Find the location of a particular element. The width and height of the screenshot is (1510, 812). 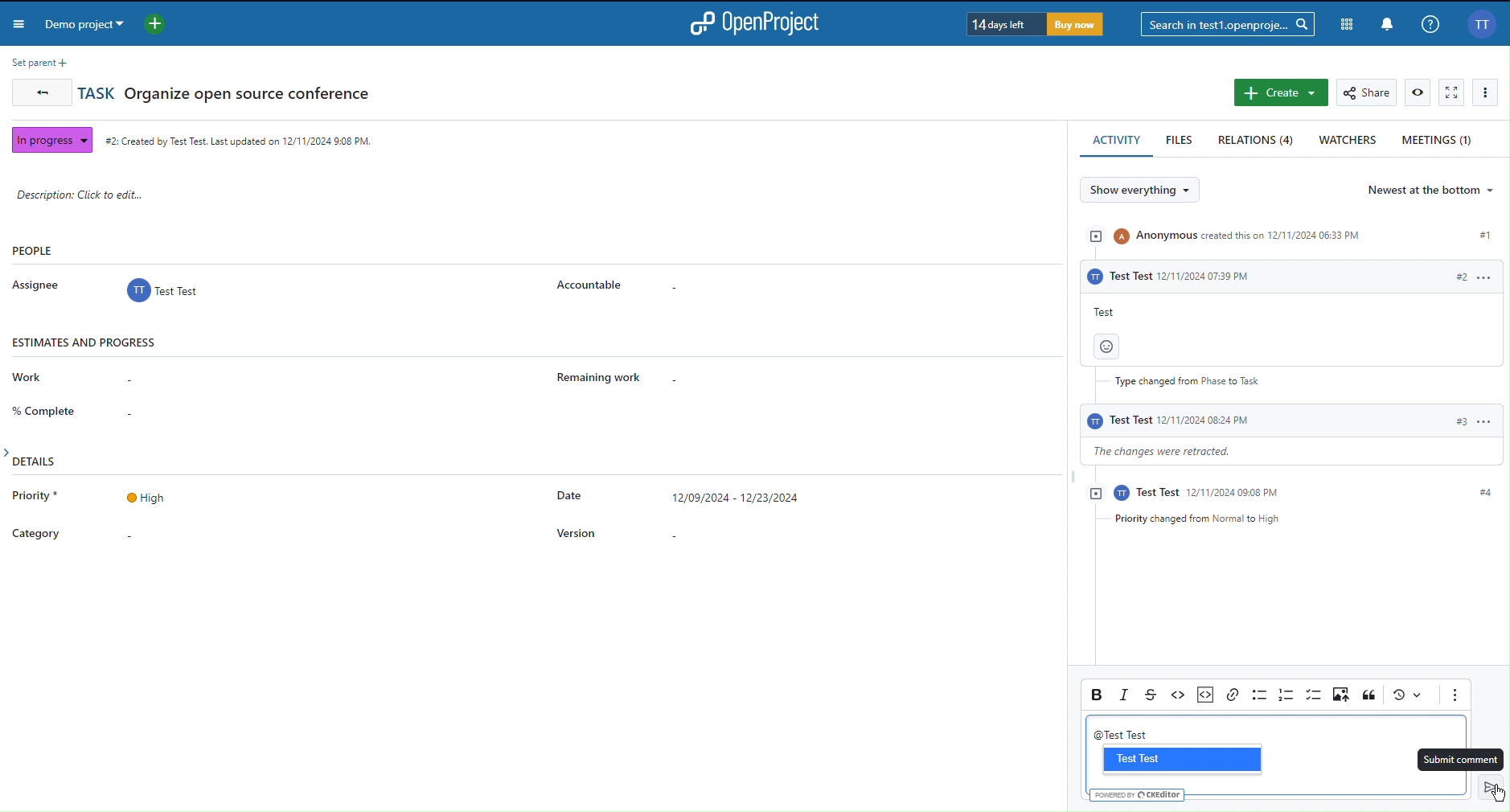

View is located at coordinates (1418, 92).